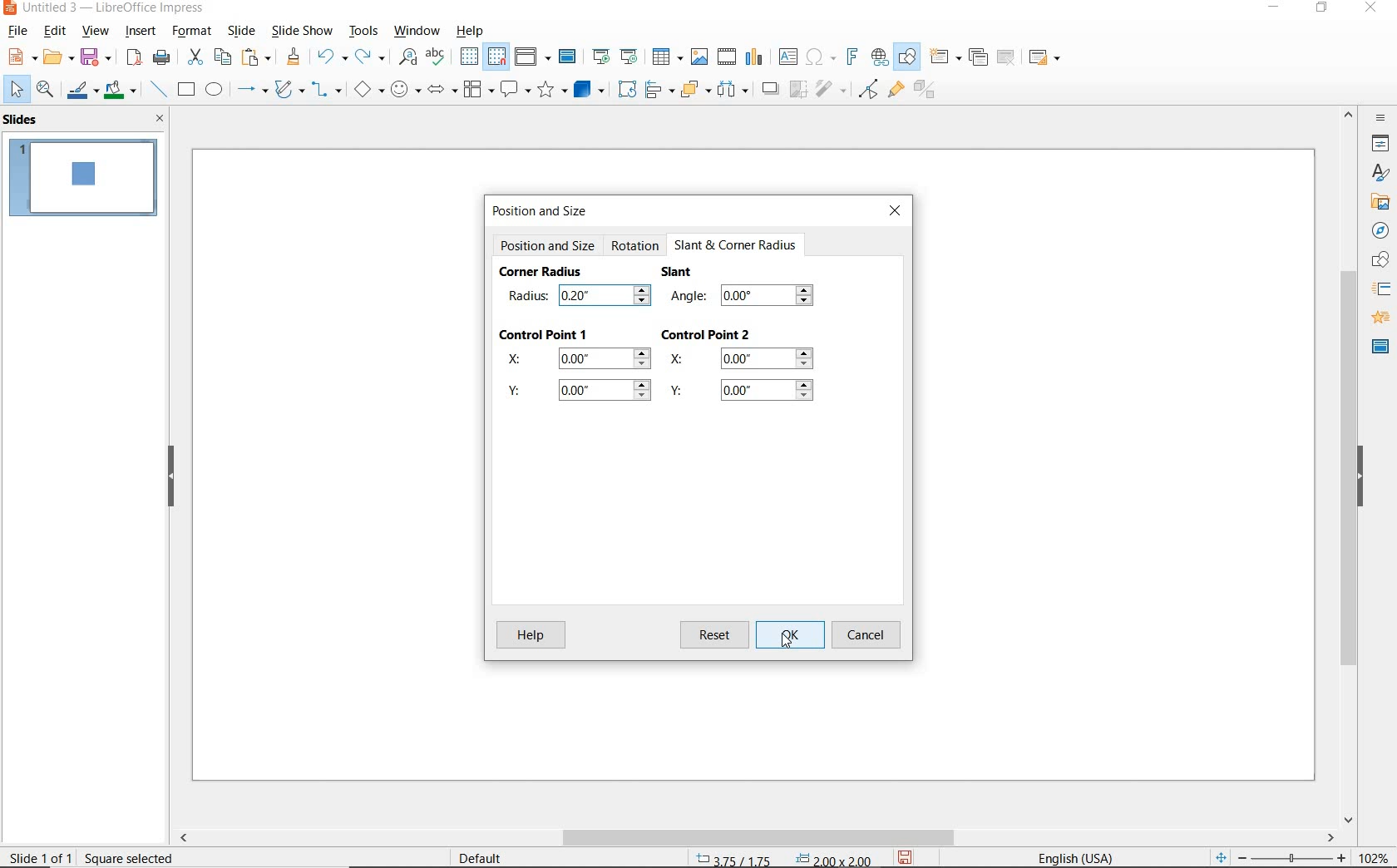  Describe the element at coordinates (367, 89) in the screenshot. I see `basic shapes` at that location.